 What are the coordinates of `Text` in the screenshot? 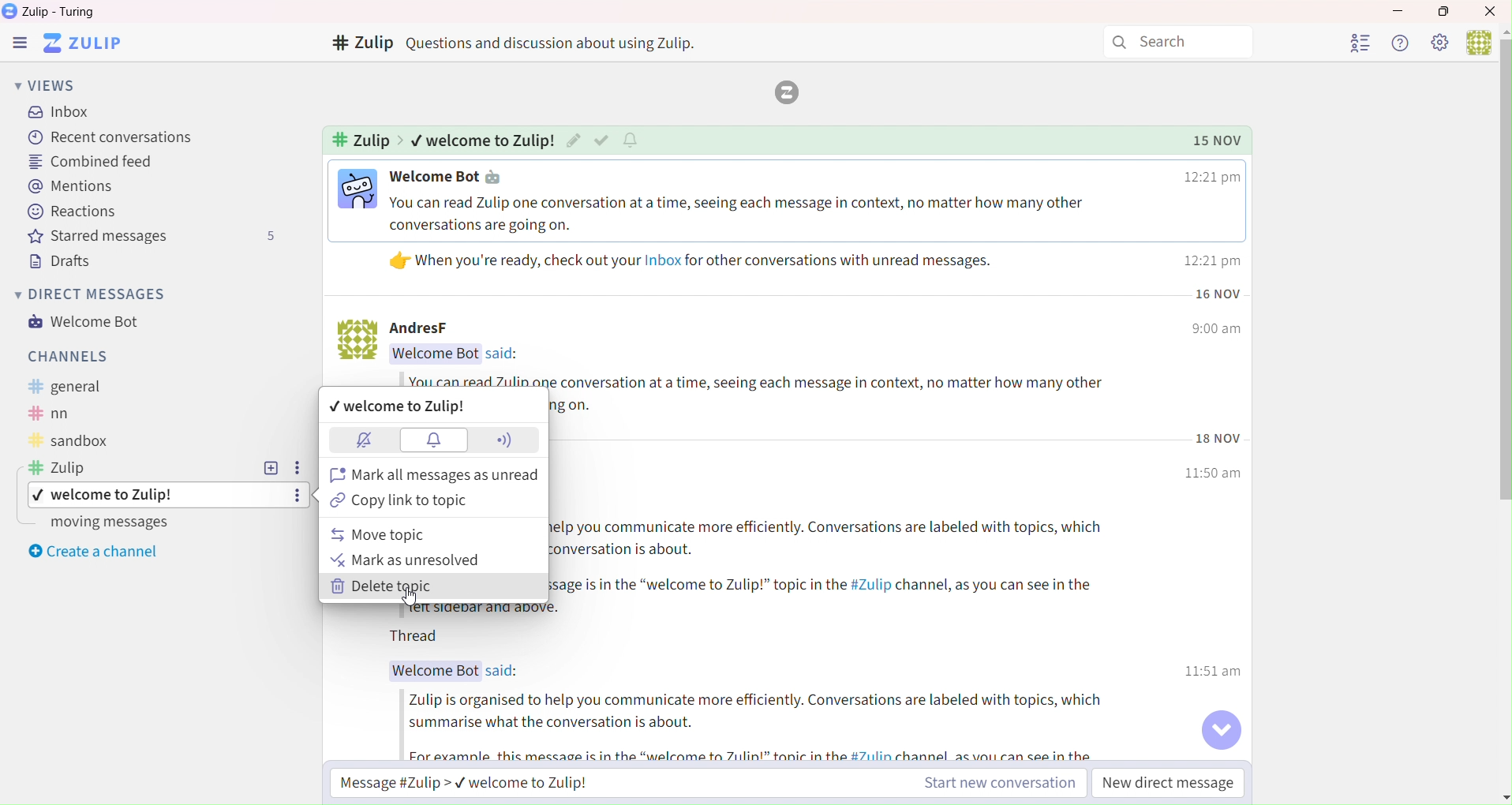 It's located at (504, 672).